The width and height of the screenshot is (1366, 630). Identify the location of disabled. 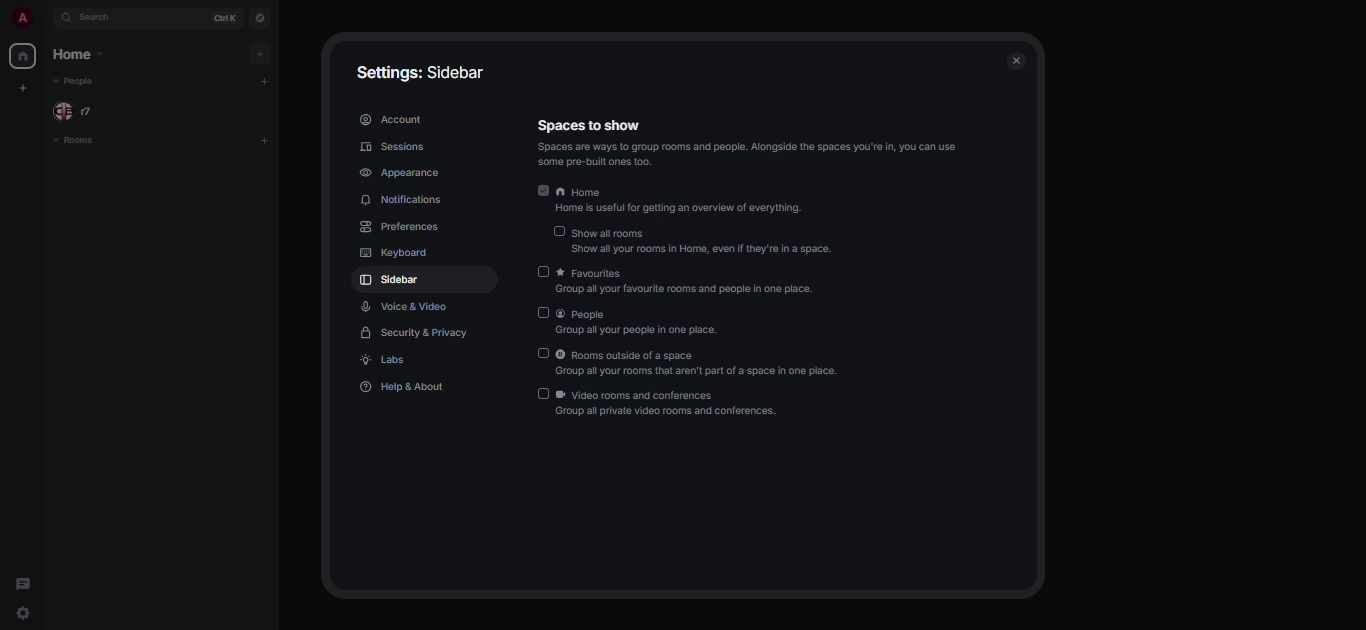
(543, 354).